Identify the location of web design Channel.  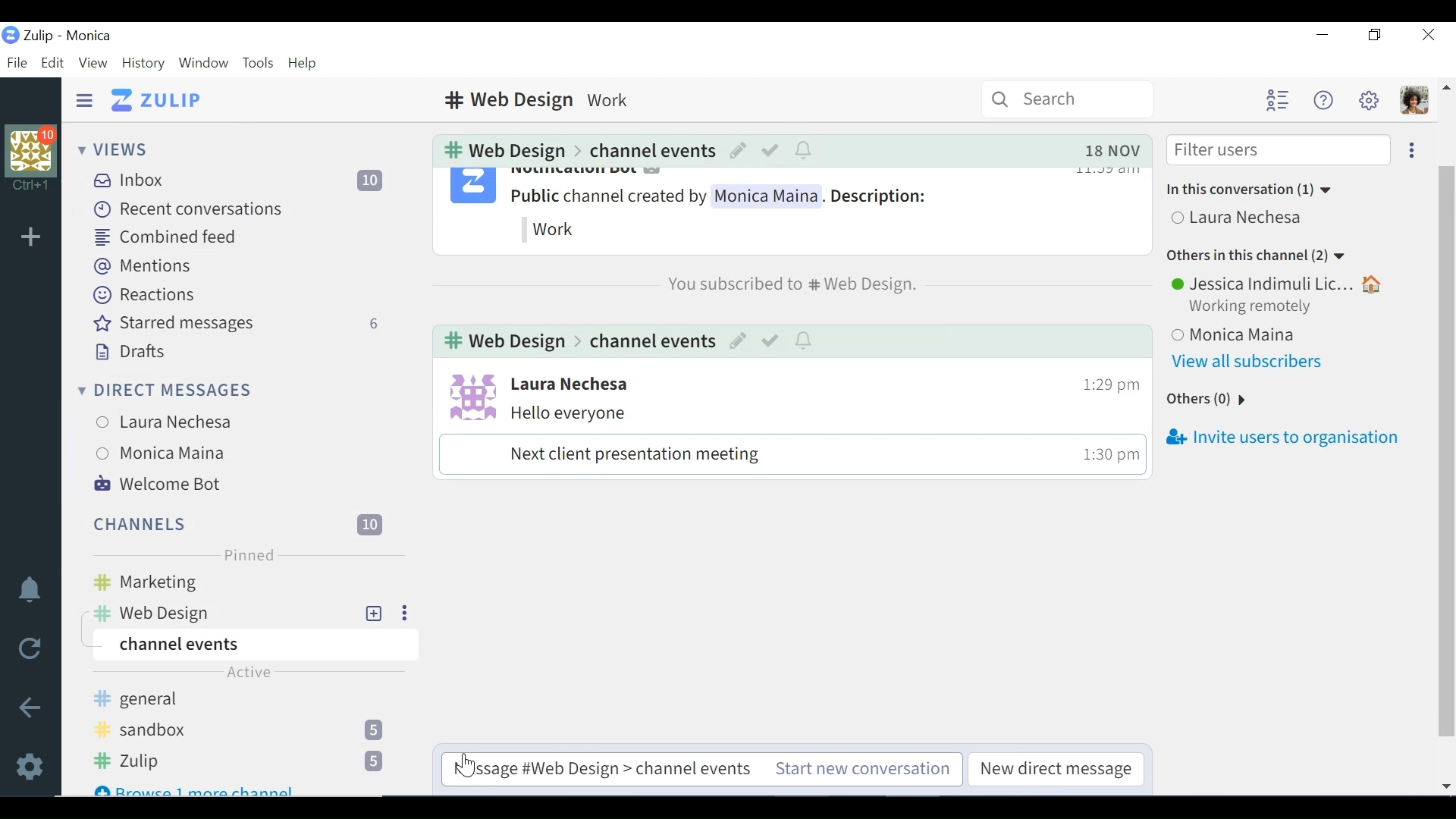
(221, 613).